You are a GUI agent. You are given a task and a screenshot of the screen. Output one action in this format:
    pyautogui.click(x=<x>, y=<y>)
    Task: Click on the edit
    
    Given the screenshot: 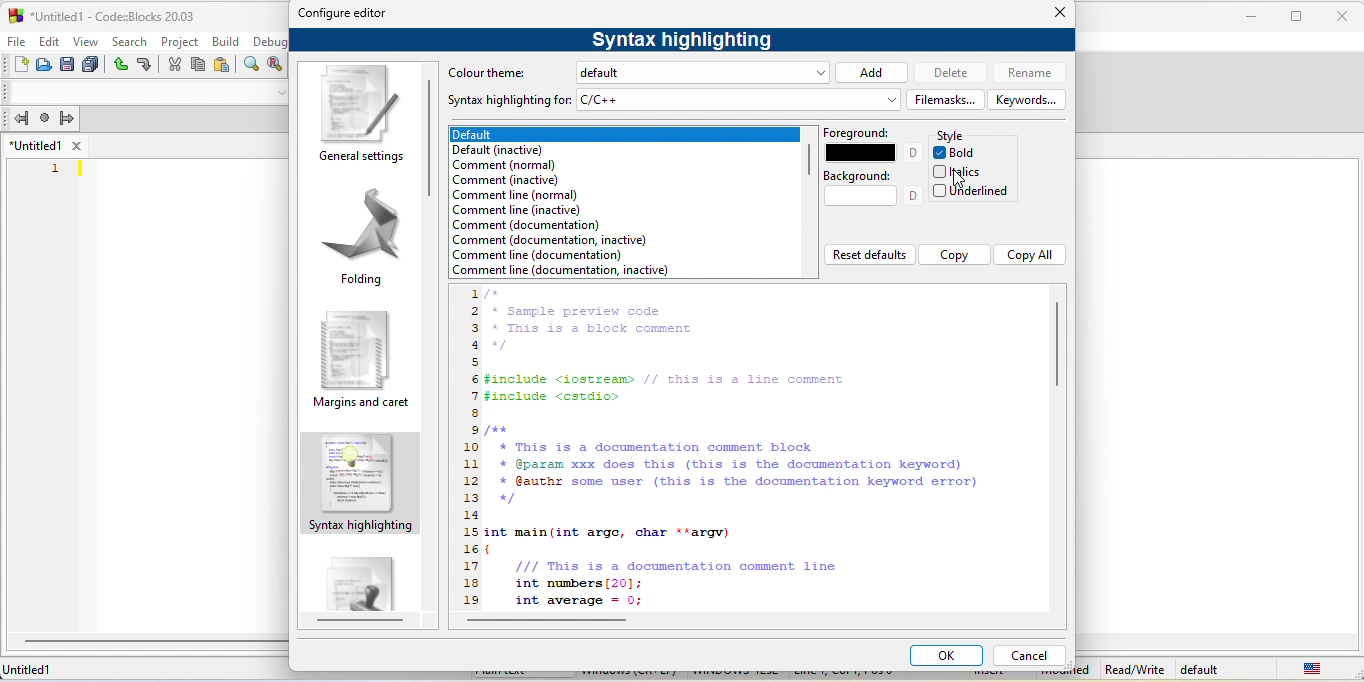 What is the action you would take?
    pyautogui.click(x=47, y=41)
    